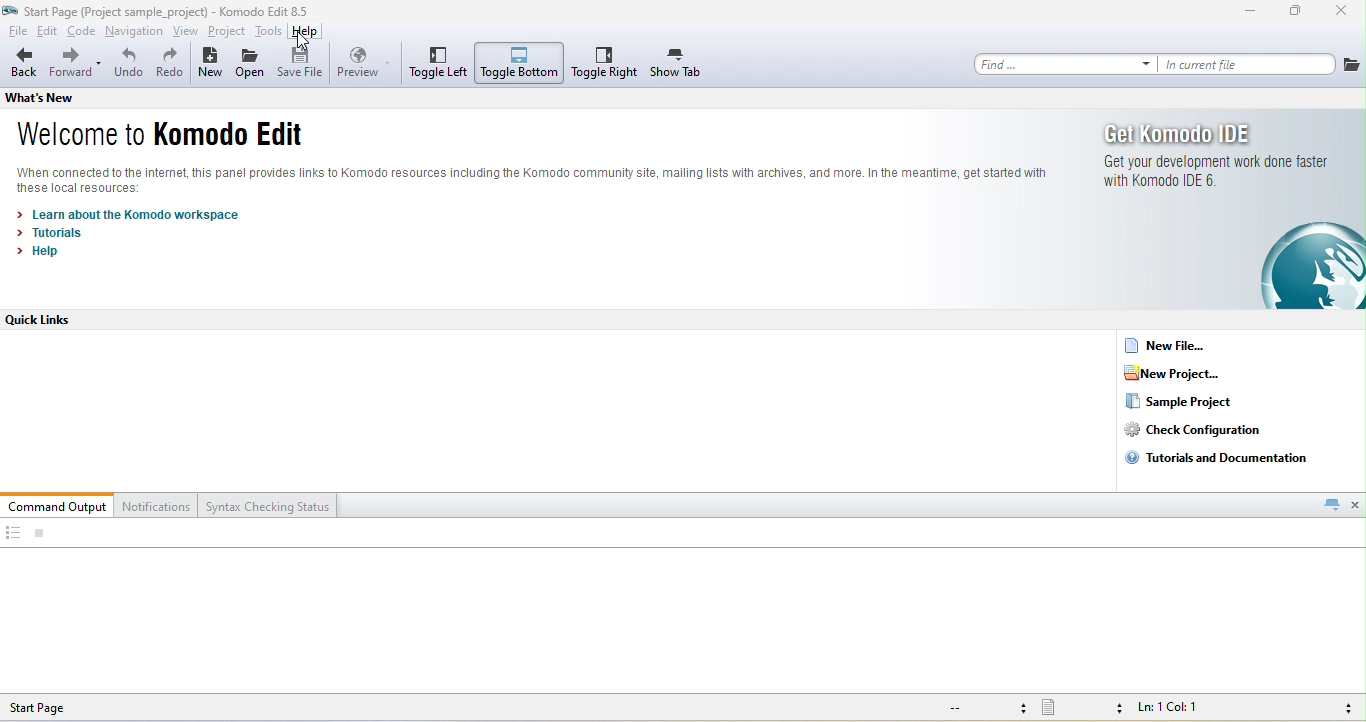 The height and width of the screenshot is (722, 1366). What do you see at coordinates (170, 65) in the screenshot?
I see `redo` at bounding box center [170, 65].